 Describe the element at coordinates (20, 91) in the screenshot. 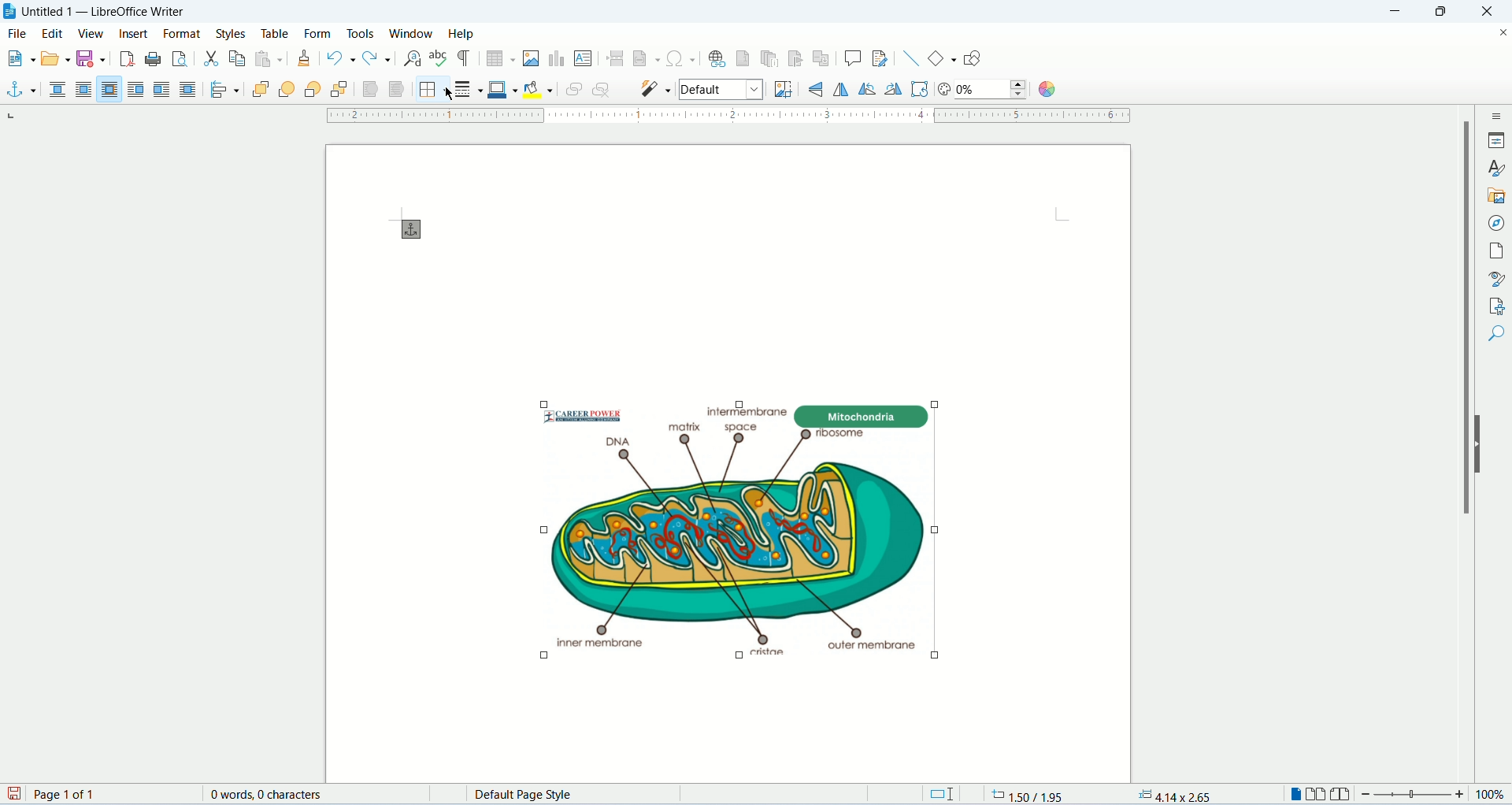

I see `anchor` at that location.